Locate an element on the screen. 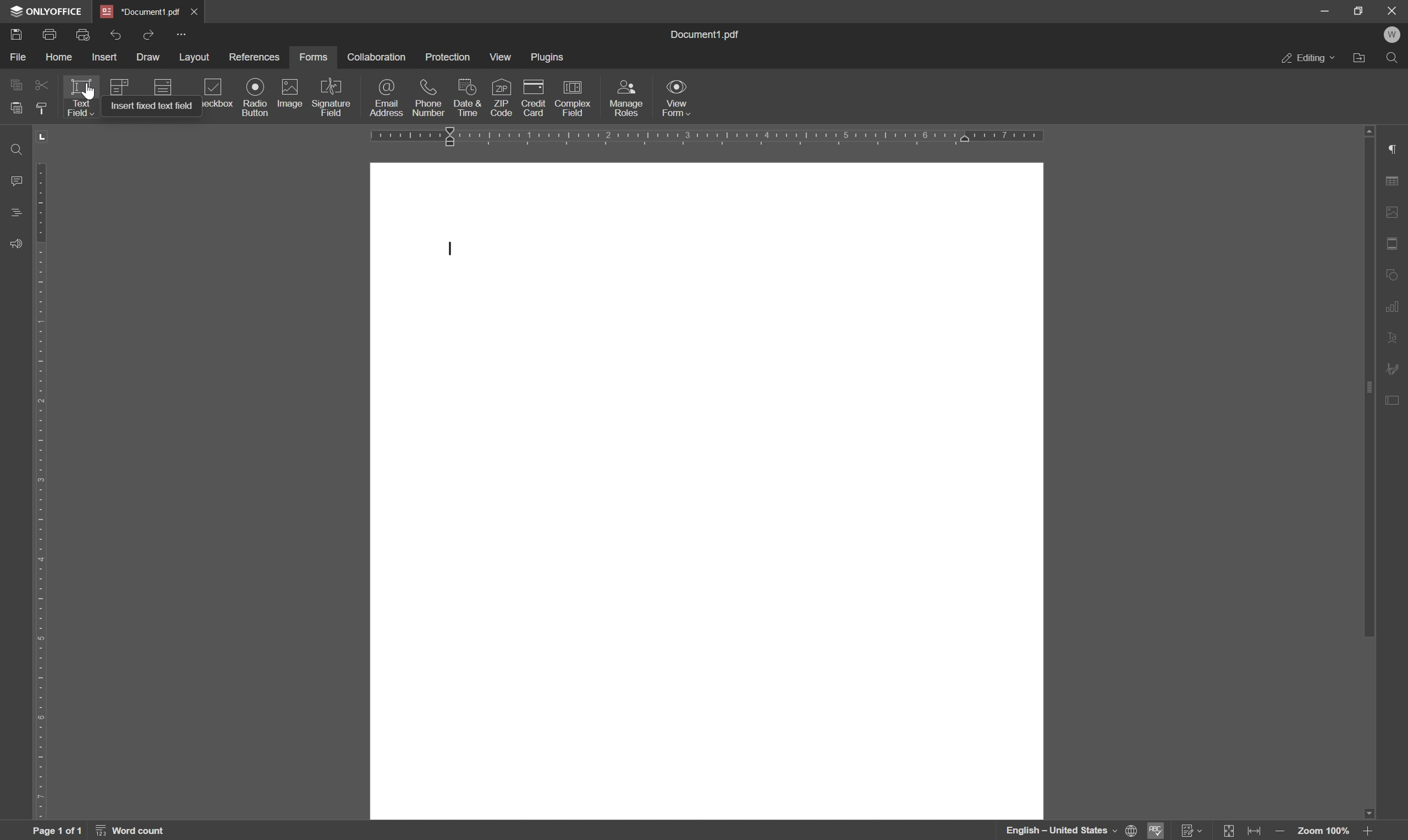  fit to width is located at coordinates (1257, 832).